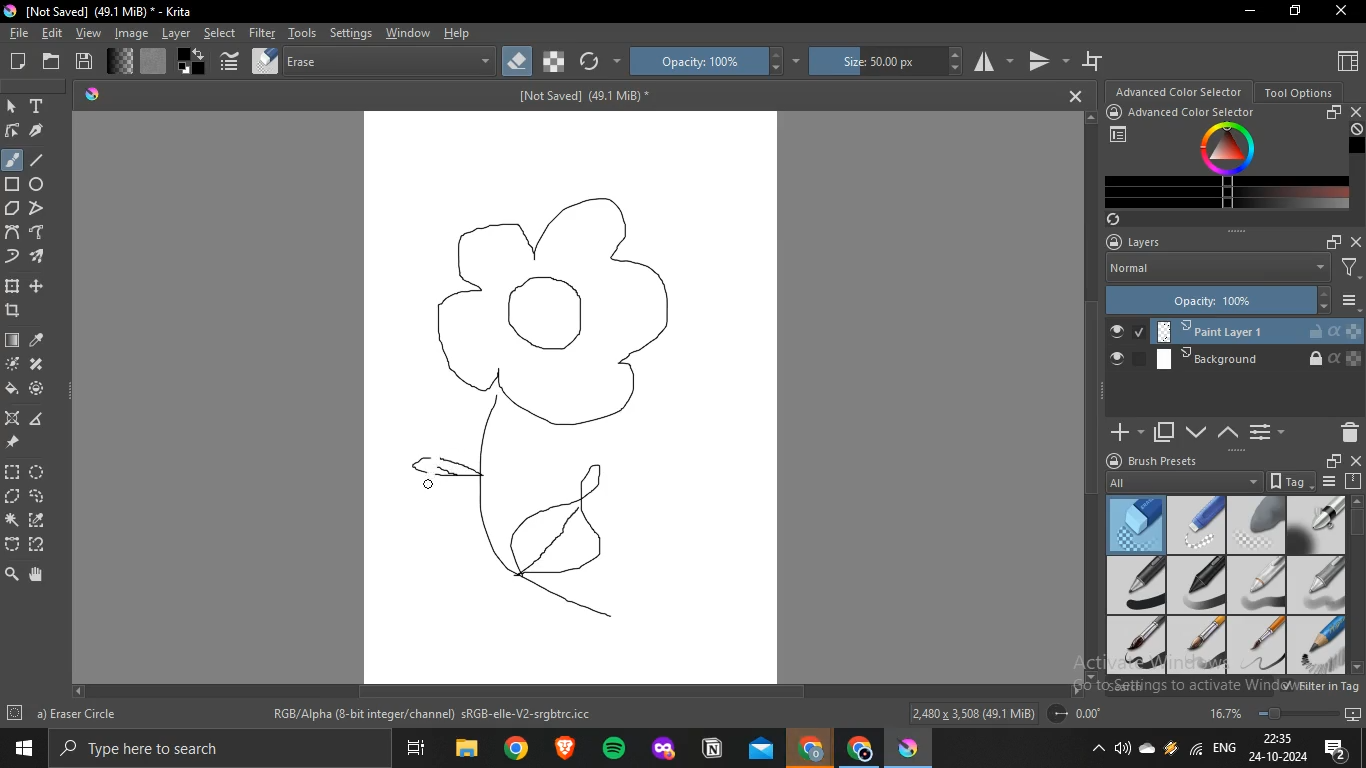 The height and width of the screenshot is (768, 1366). I want to click on colorize mask tool, so click(10, 365).